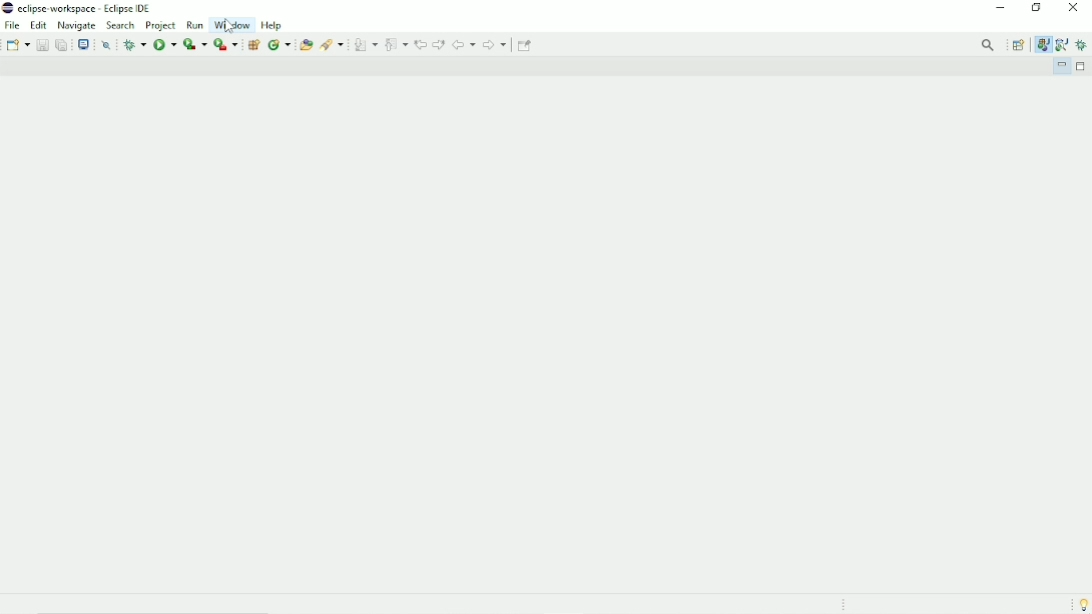 This screenshot has height=614, width=1092. I want to click on Tip , so click(1082, 603).